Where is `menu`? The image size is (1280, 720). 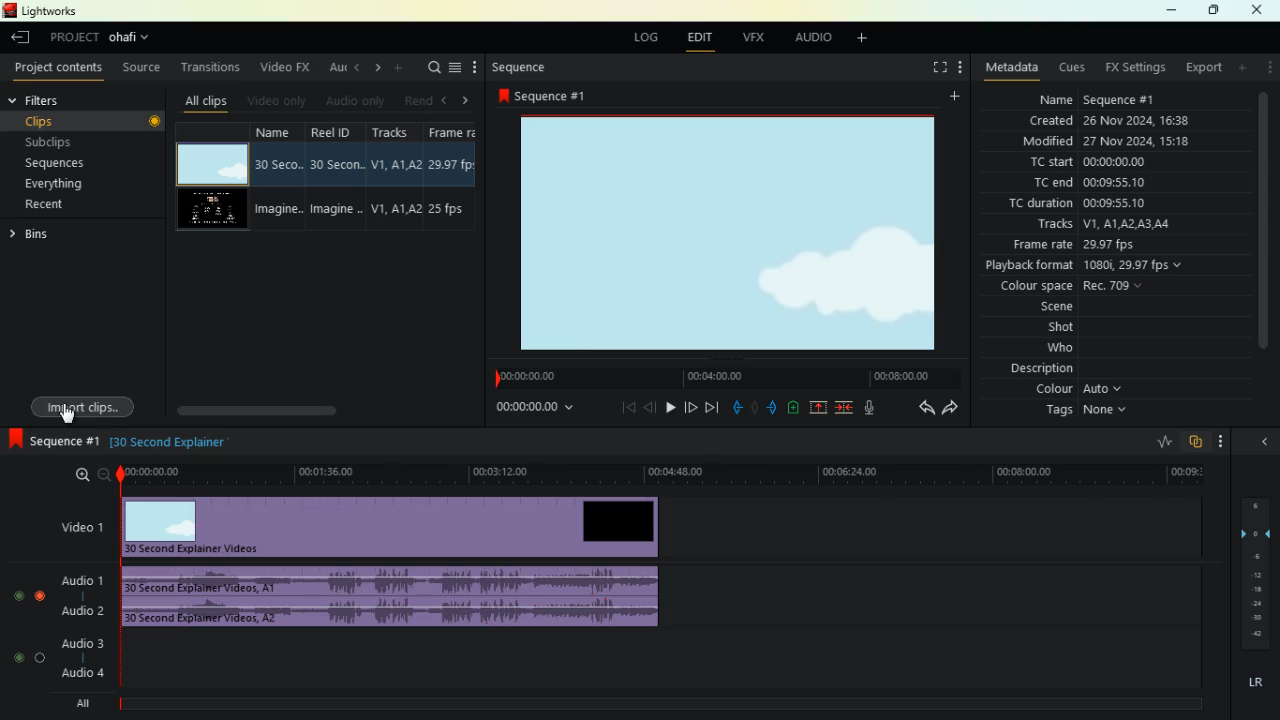
menu is located at coordinates (455, 69).